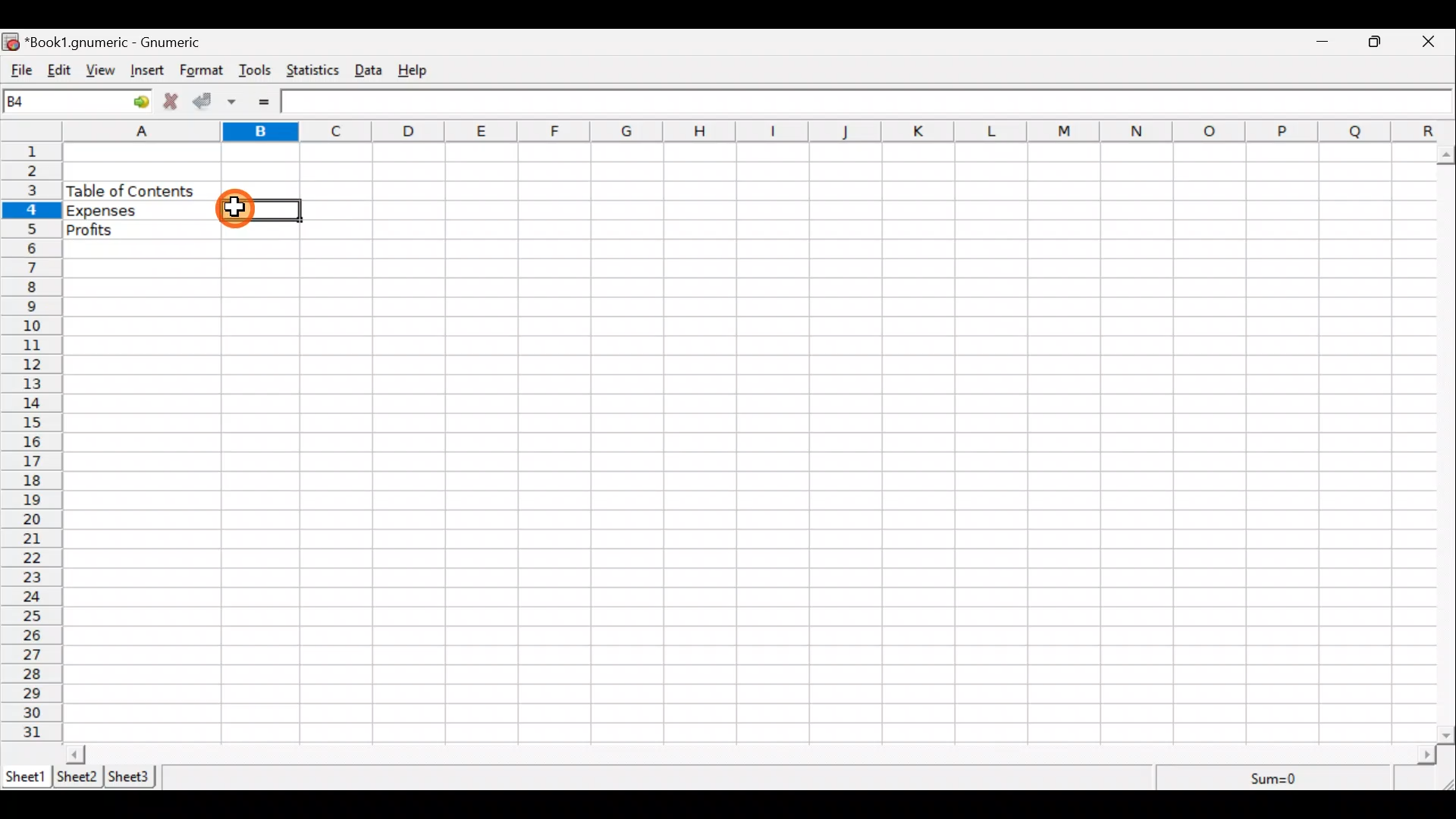  I want to click on Edit, so click(59, 72).